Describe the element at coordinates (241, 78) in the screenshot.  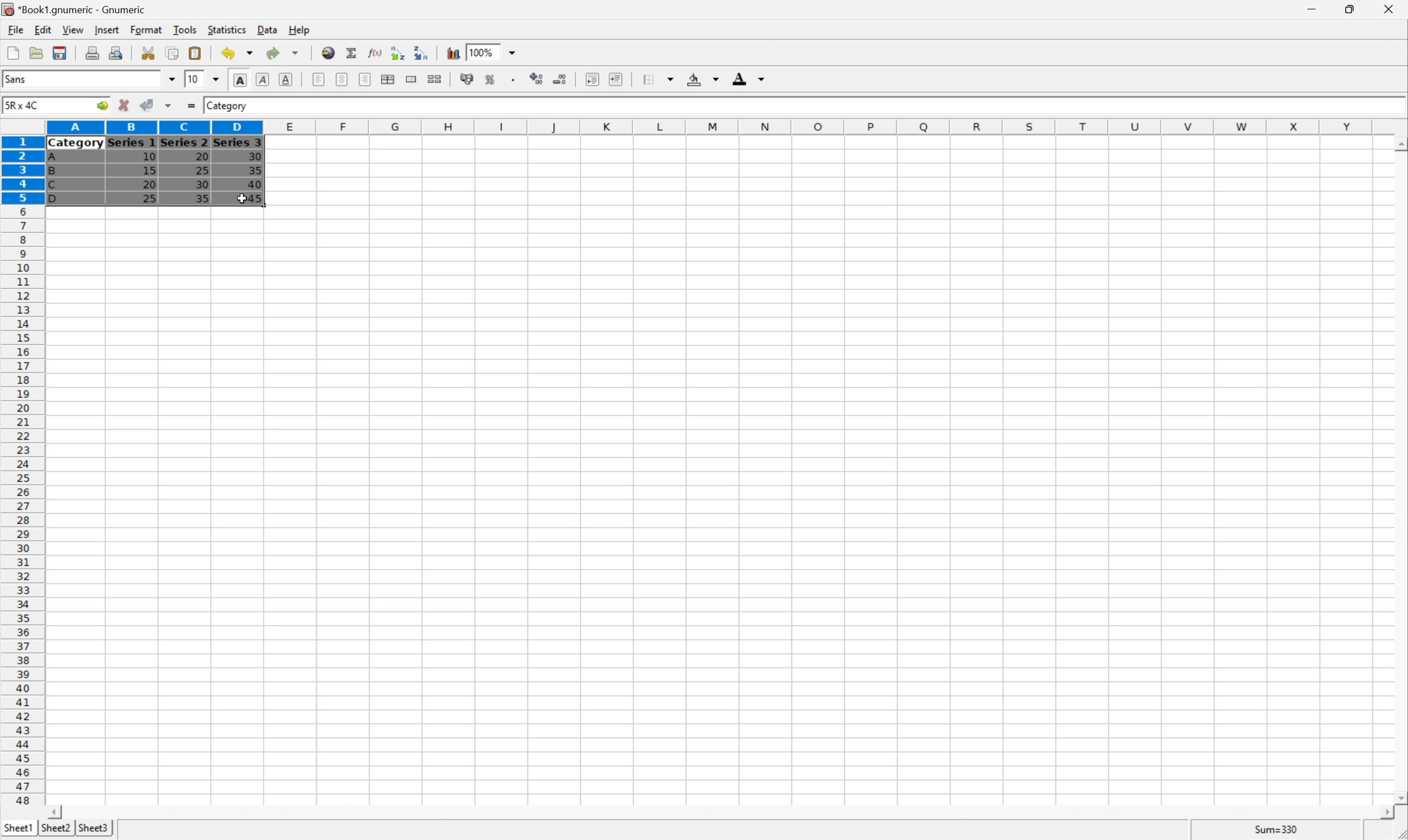
I see `Bold` at that location.